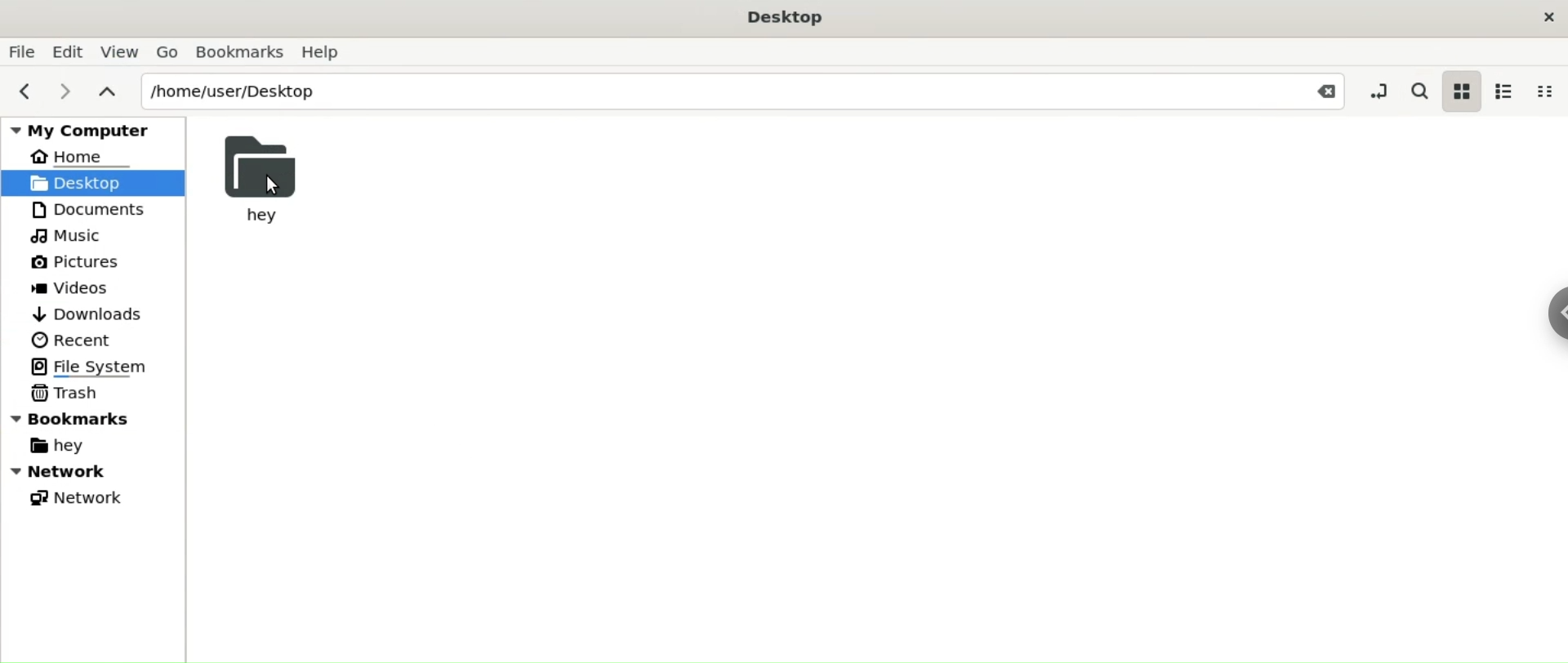  What do you see at coordinates (241, 51) in the screenshot?
I see `Bookmarks` at bounding box center [241, 51].